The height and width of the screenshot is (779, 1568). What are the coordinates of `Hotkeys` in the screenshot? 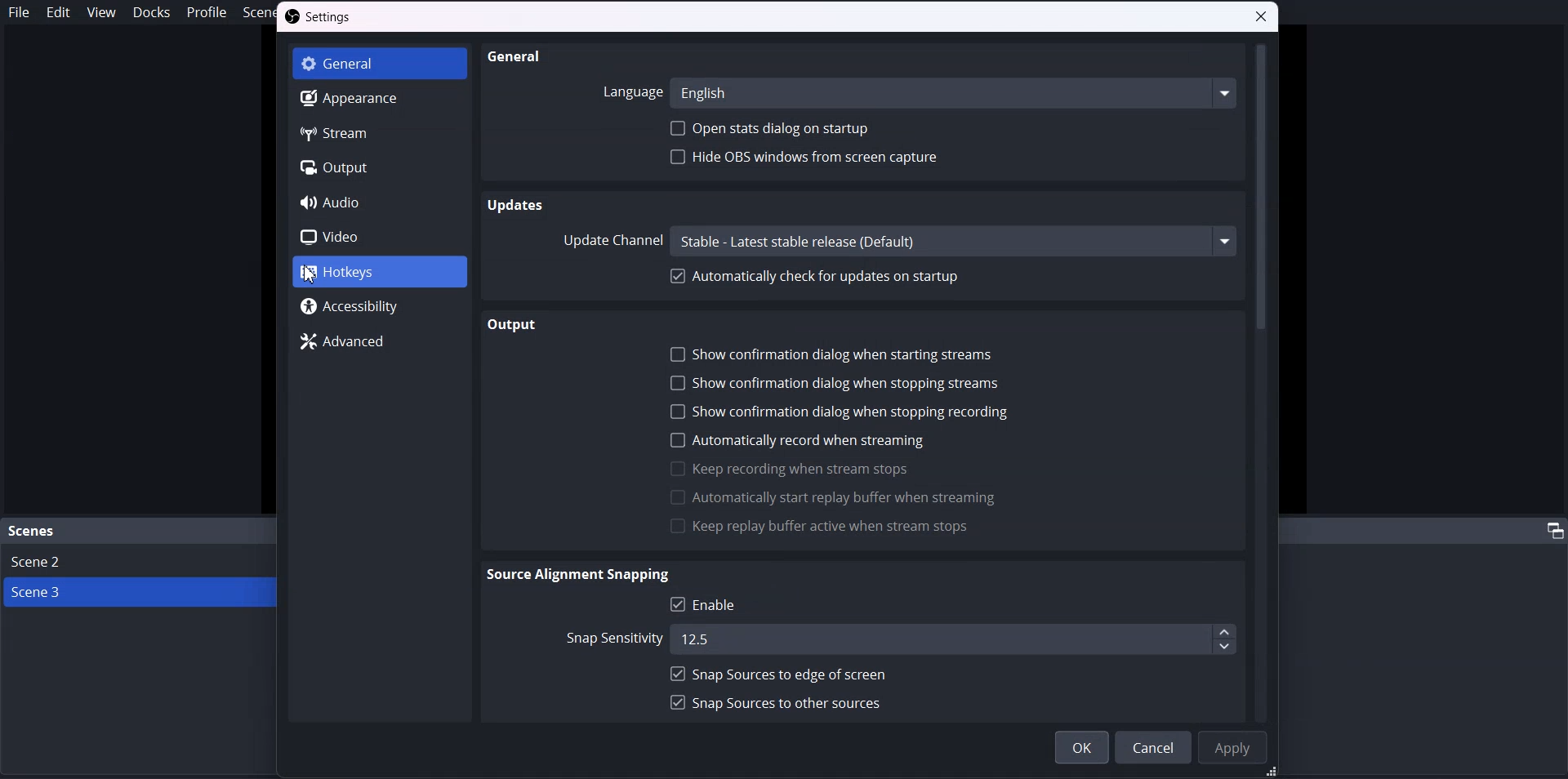 It's located at (381, 272).